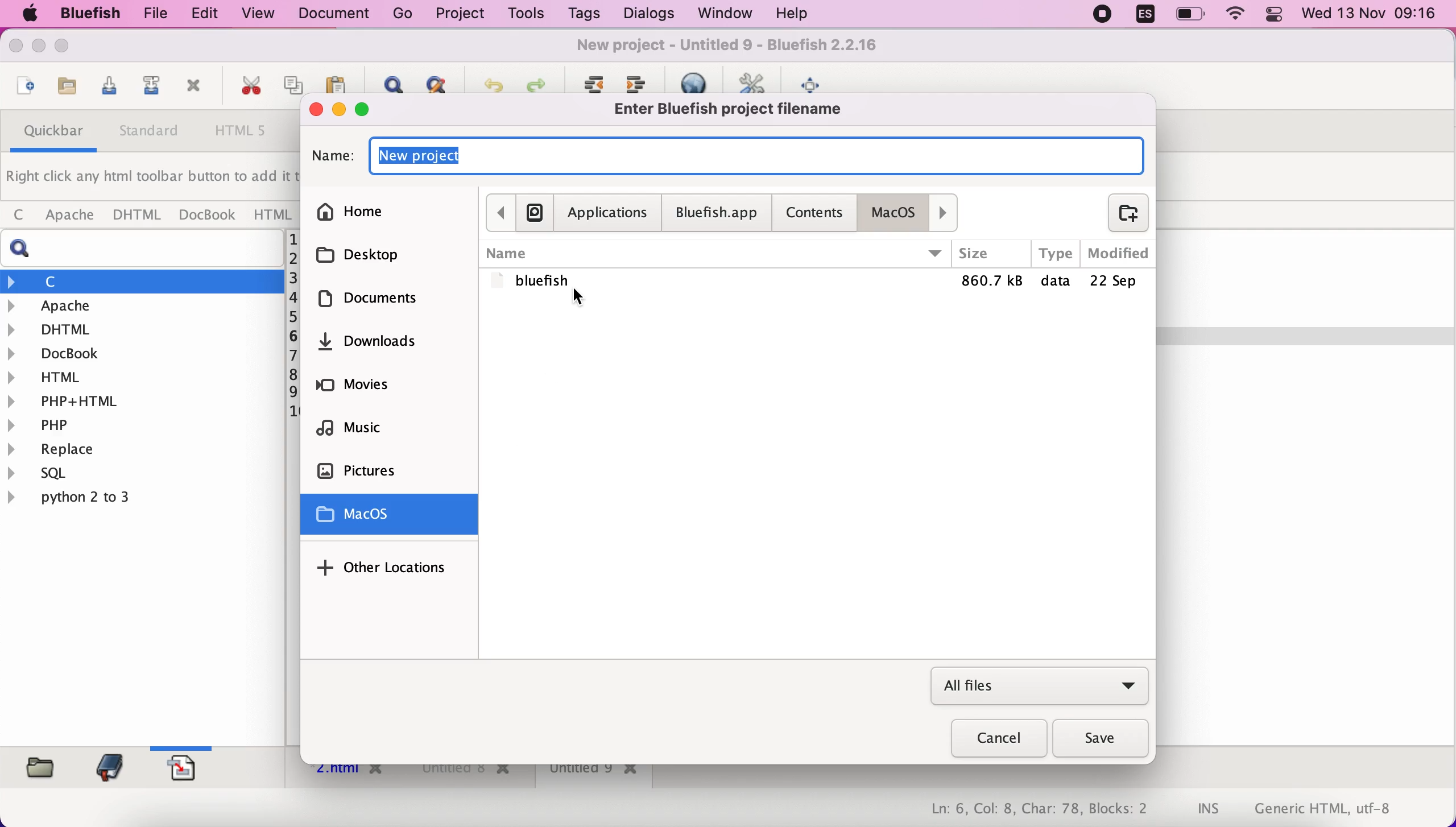 Image resolution: width=1456 pixels, height=827 pixels. I want to click on paste, so click(336, 82).